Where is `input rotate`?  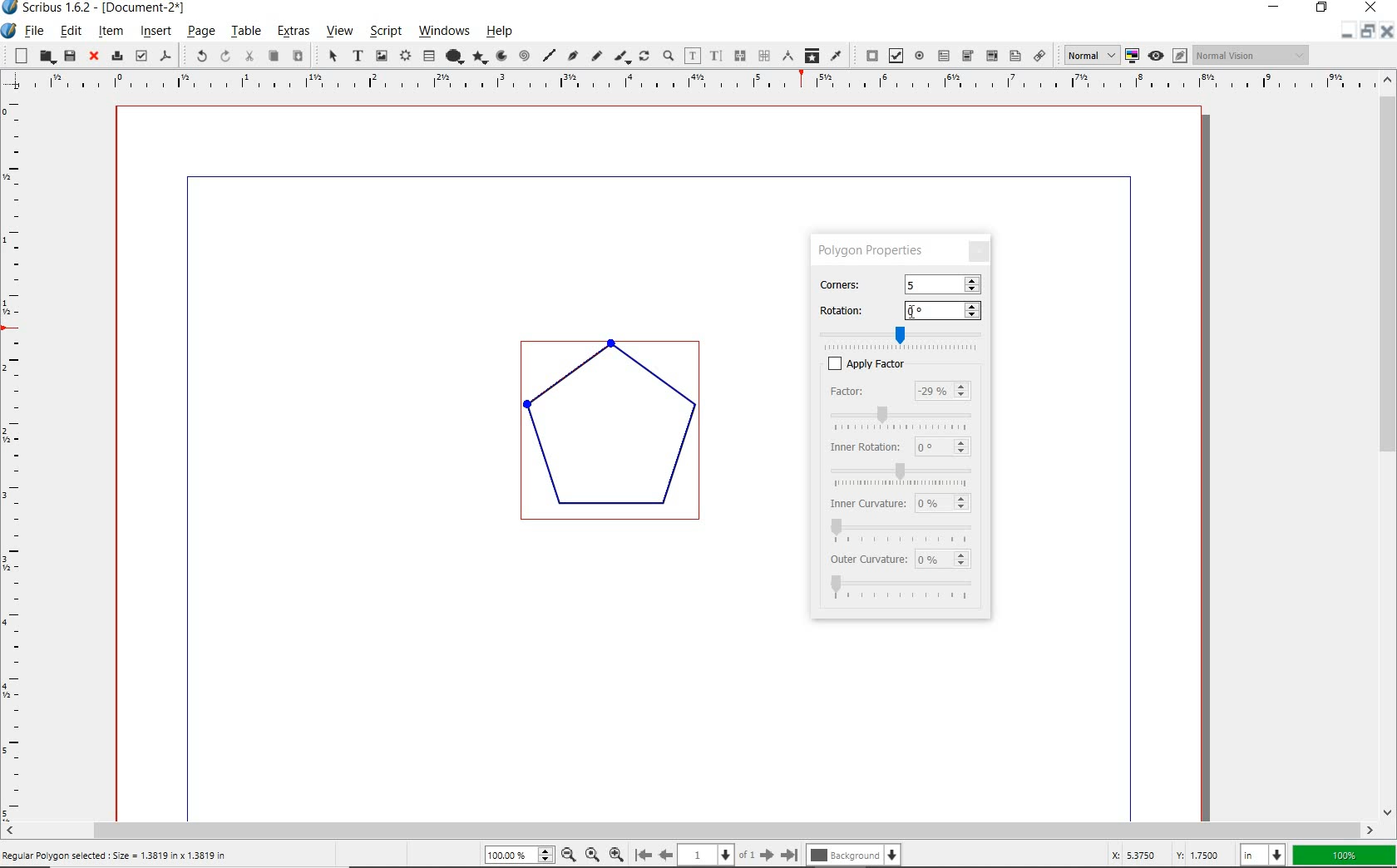 input rotate is located at coordinates (945, 311).